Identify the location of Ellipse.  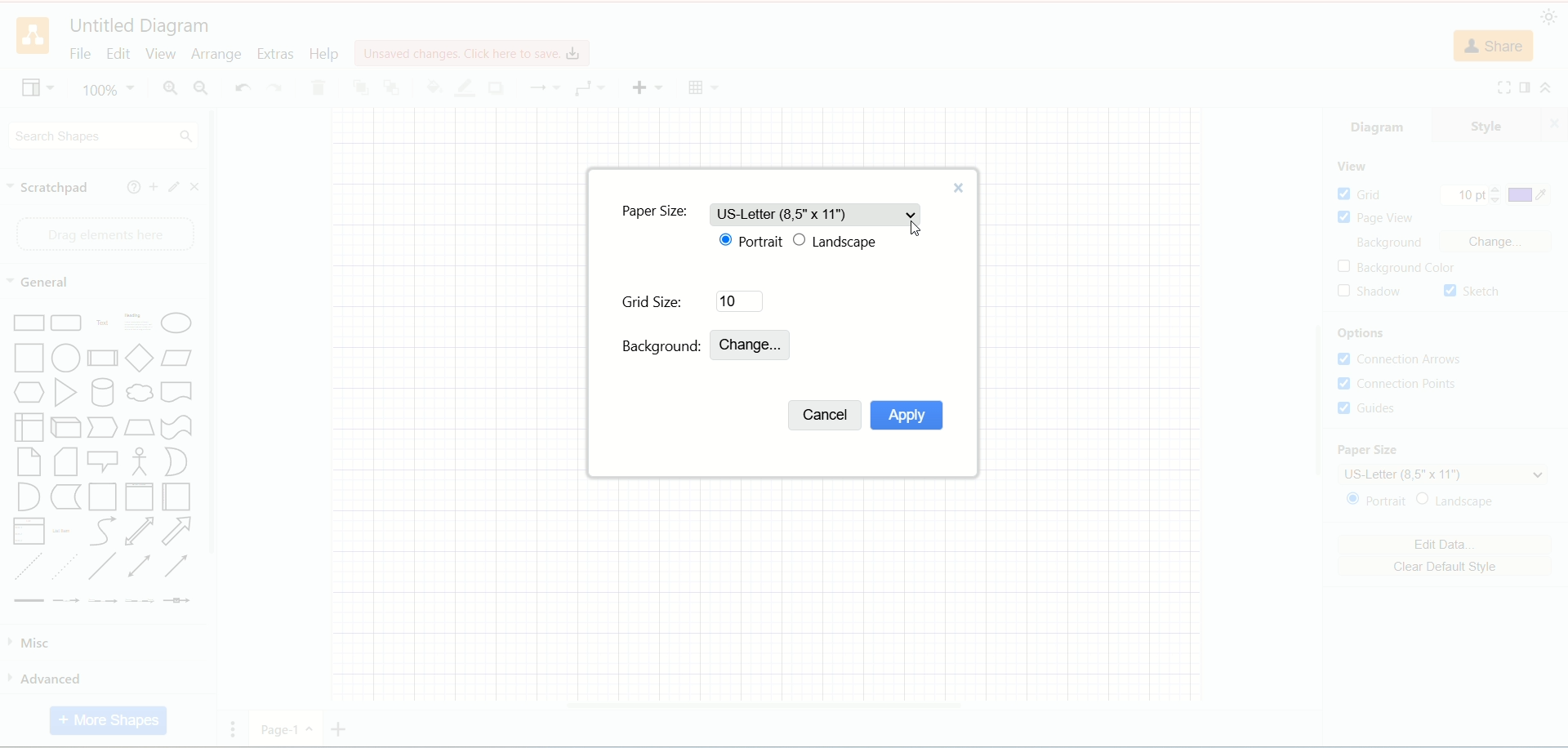
(177, 326).